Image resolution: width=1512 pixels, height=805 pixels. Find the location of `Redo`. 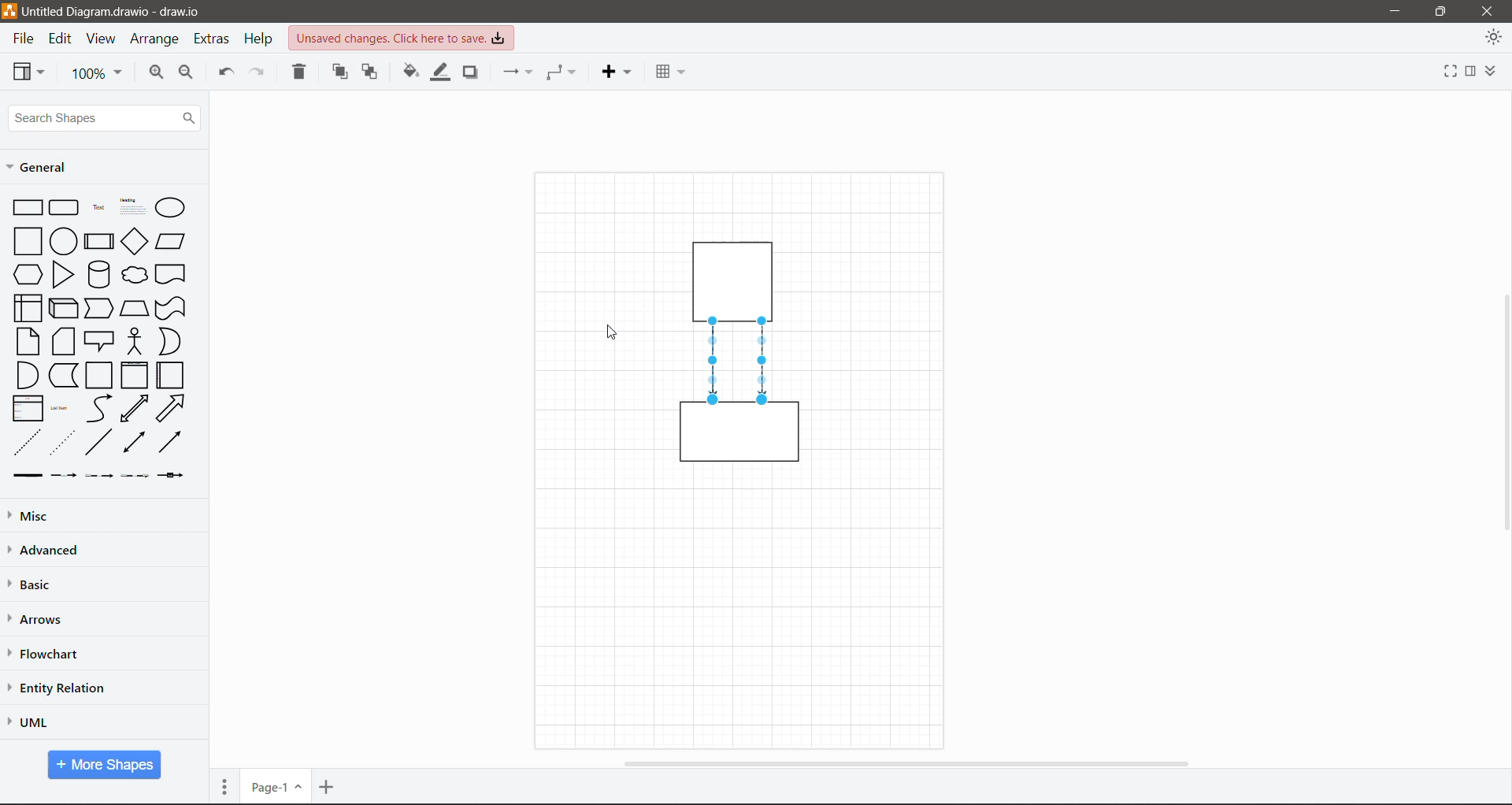

Redo is located at coordinates (260, 73).